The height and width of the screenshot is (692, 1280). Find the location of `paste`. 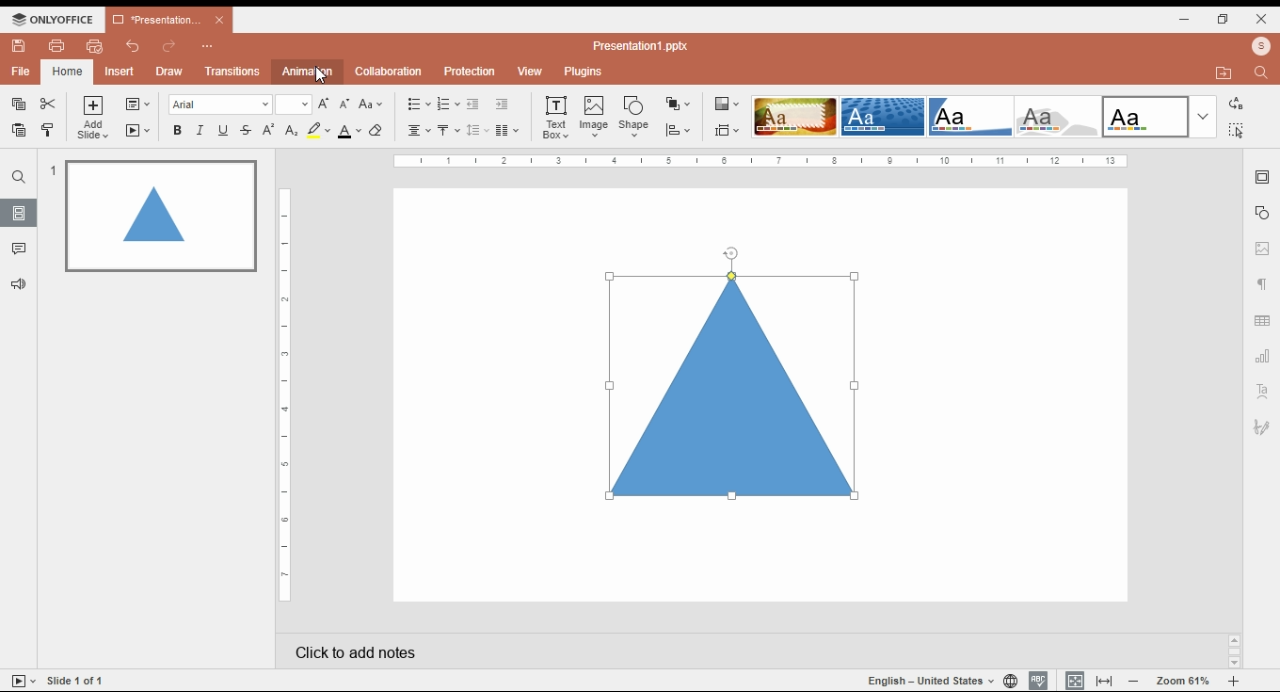

paste is located at coordinates (18, 130).